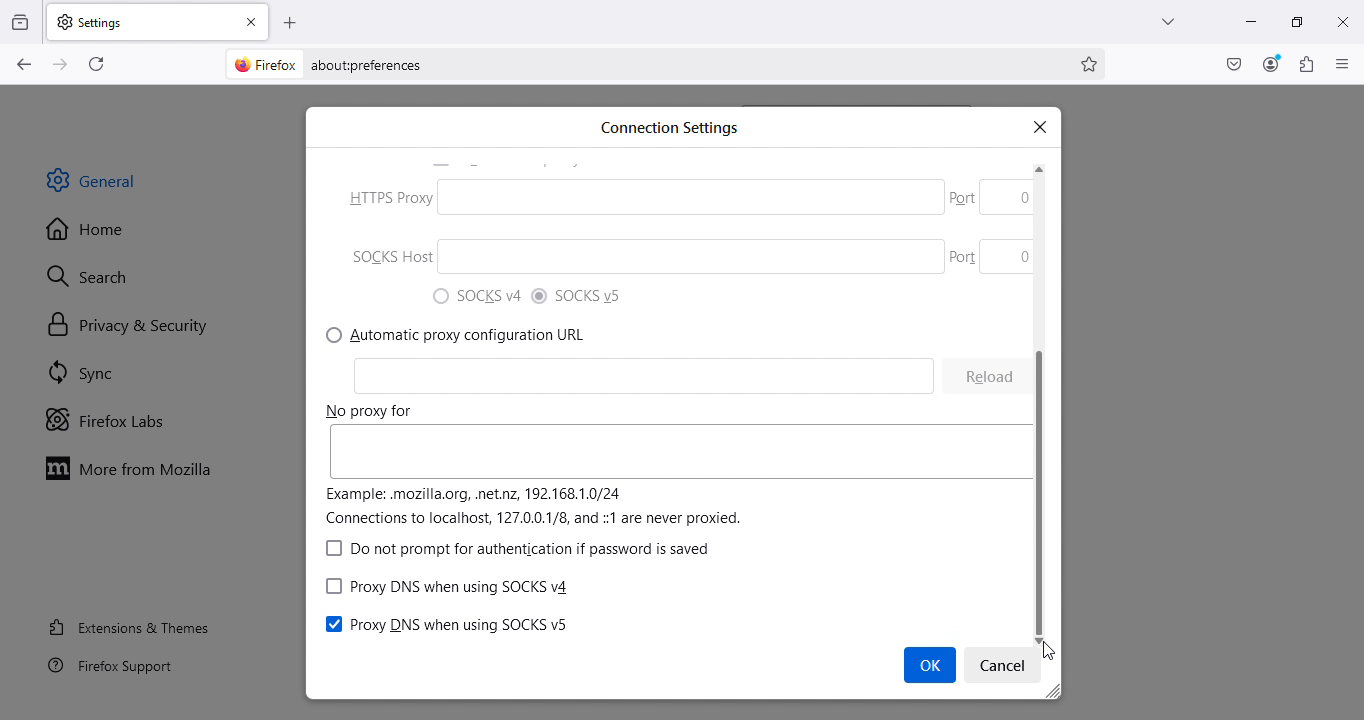  Describe the element at coordinates (98, 179) in the screenshot. I see `General` at that location.